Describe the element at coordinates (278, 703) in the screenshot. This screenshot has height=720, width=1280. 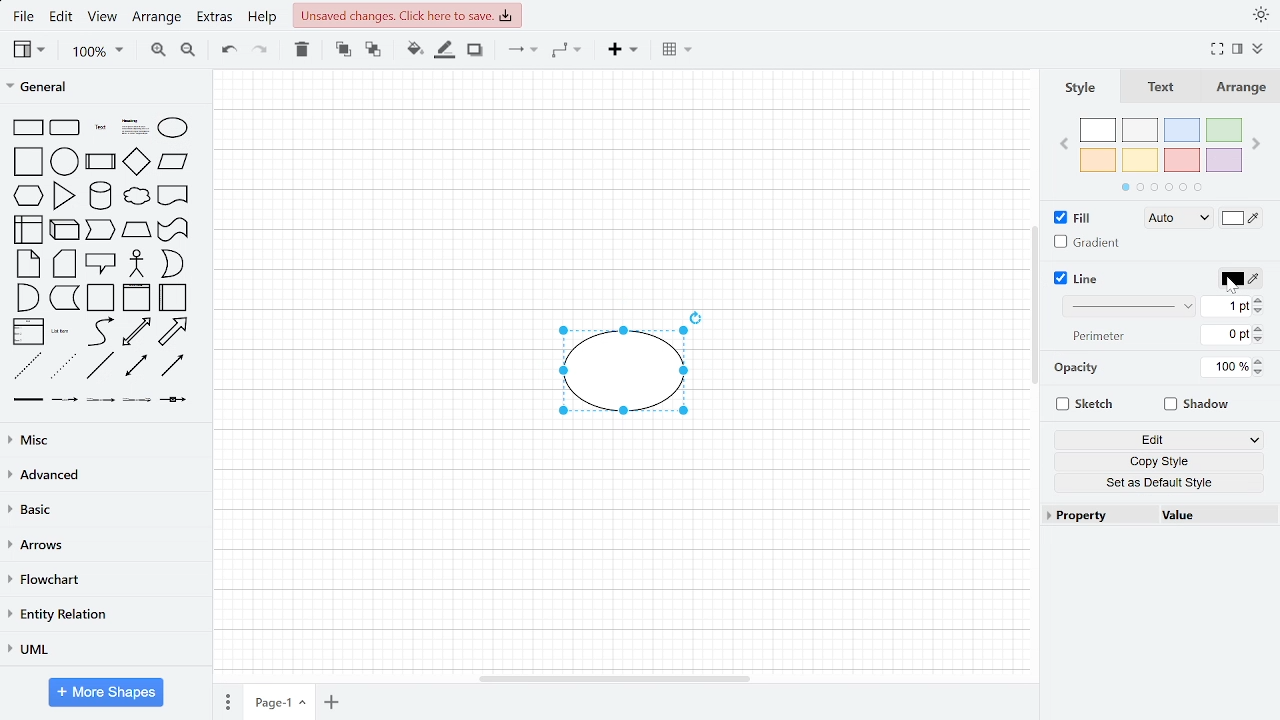
I see `current page` at that location.